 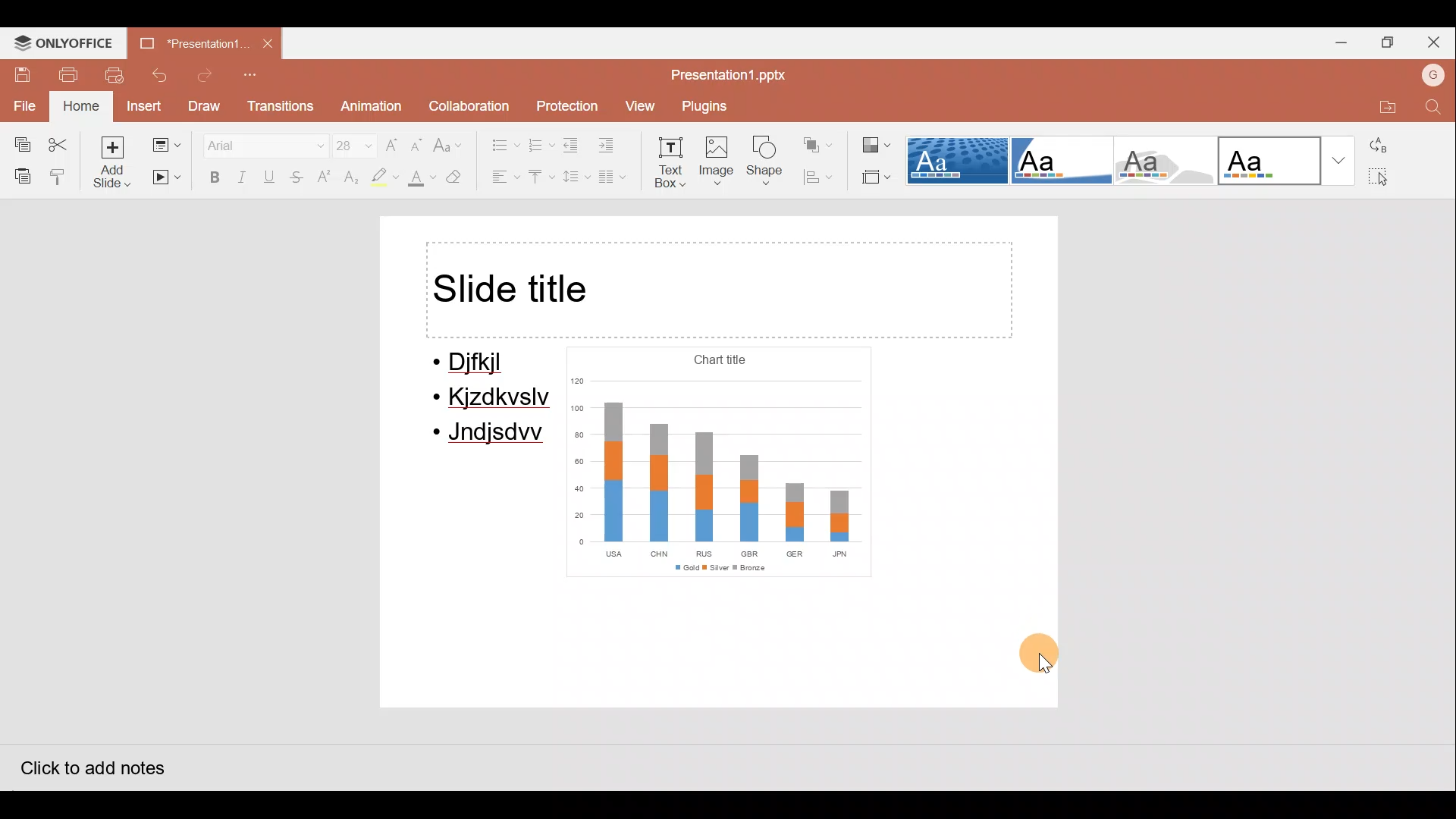 I want to click on Plugins, so click(x=709, y=105).